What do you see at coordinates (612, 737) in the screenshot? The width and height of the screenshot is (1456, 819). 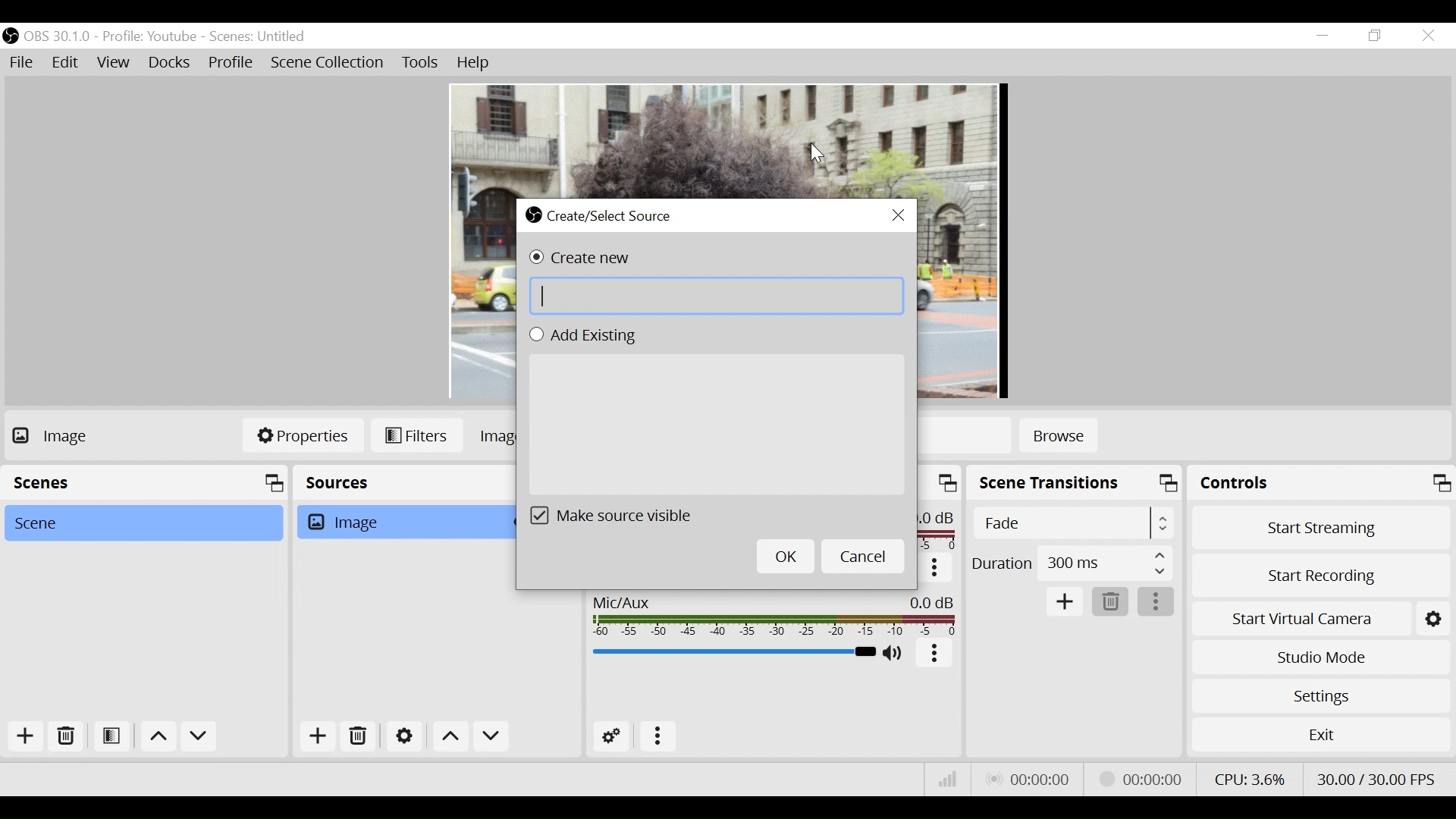 I see `Advanced Audio Settings` at bounding box center [612, 737].